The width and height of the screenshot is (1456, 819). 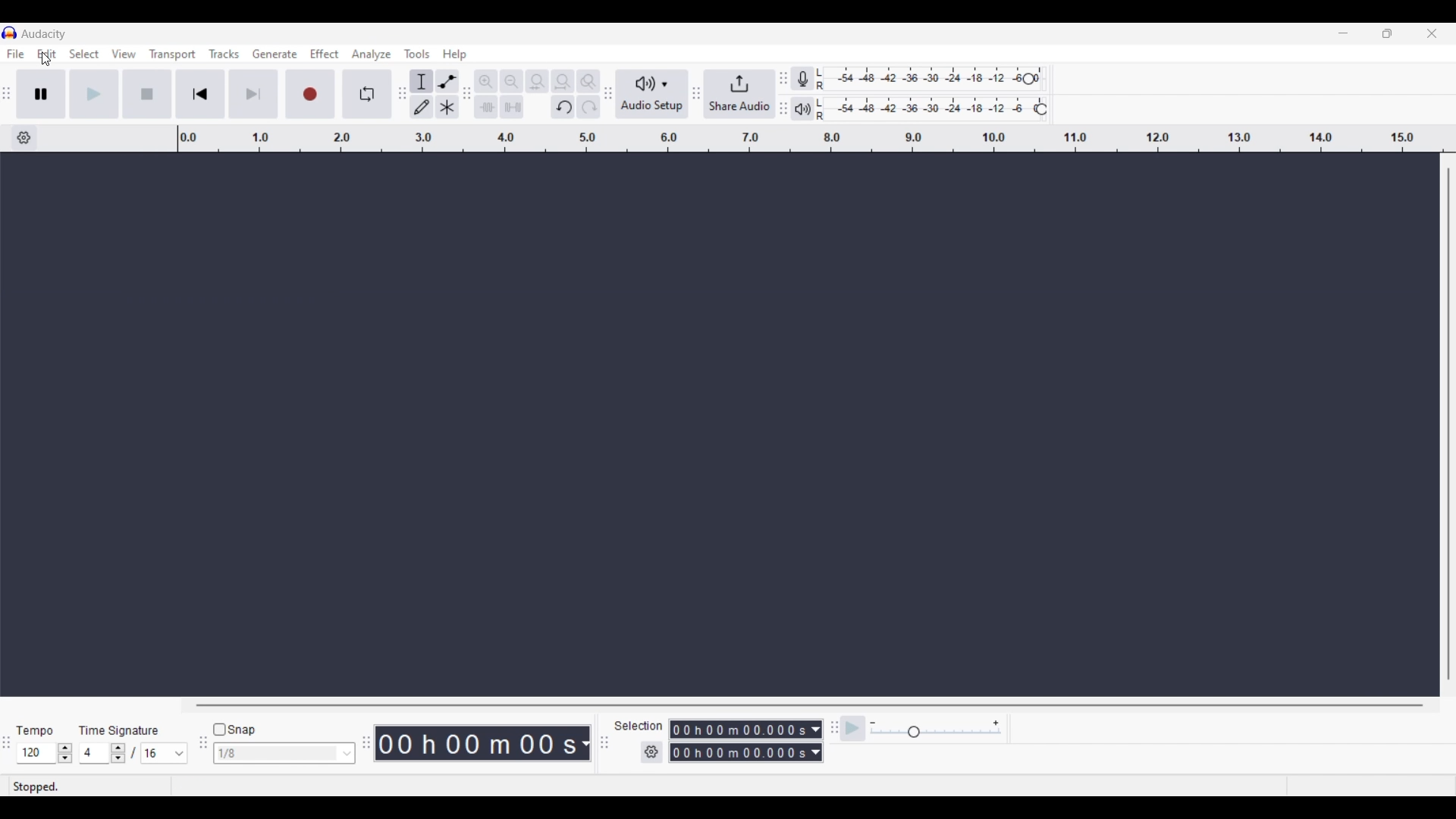 What do you see at coordinates (422, 107) in the screenshot?
I see `Draw tool` at bounding box center [422, 107].